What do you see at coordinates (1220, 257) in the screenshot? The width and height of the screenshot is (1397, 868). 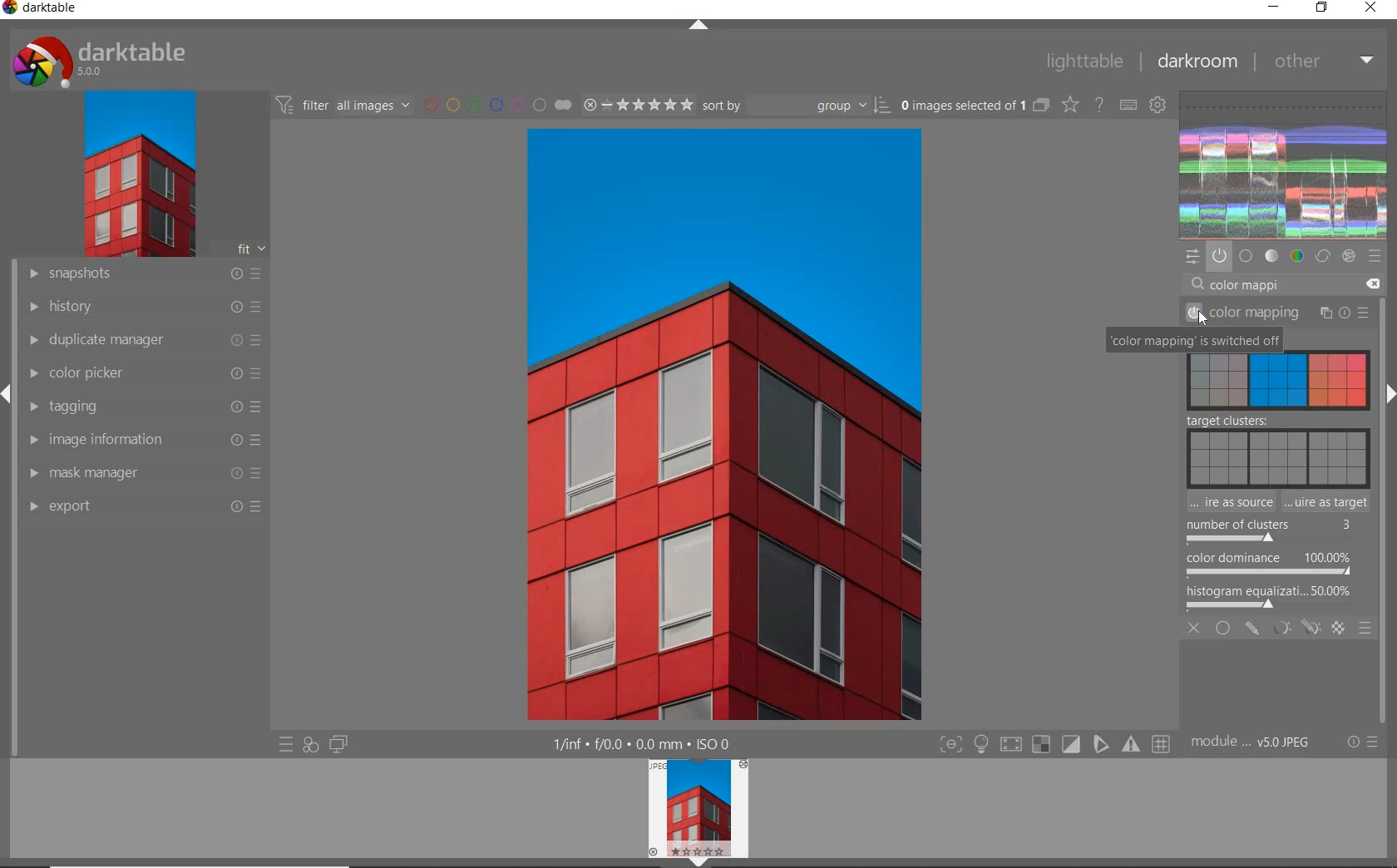 I see `show only active module` at bounding box center [1220, 257].